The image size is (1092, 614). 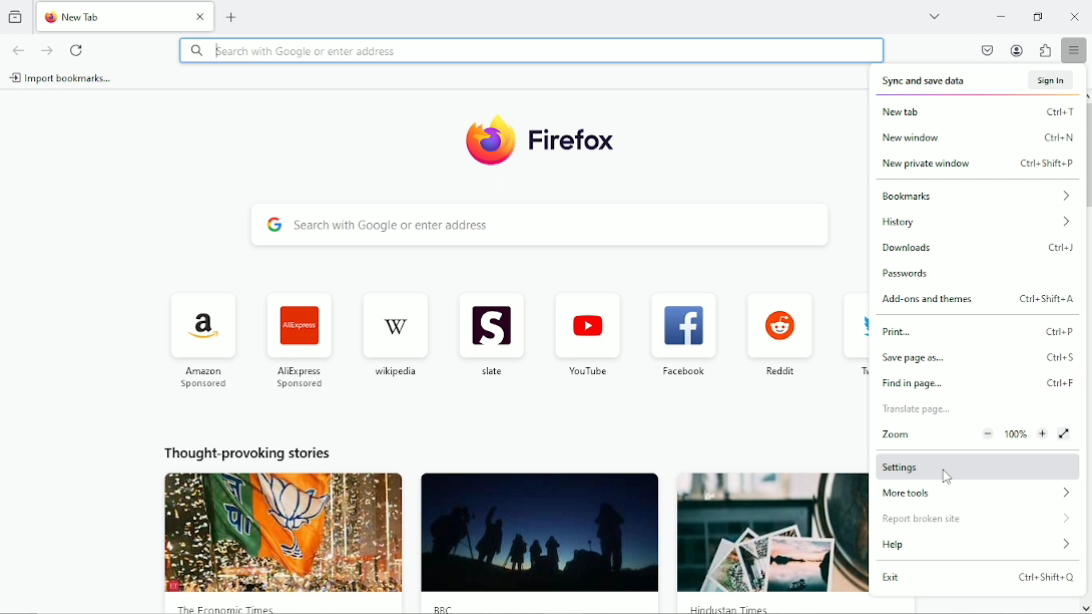 I want to click on bookmarks, so click(x=977, y=194).